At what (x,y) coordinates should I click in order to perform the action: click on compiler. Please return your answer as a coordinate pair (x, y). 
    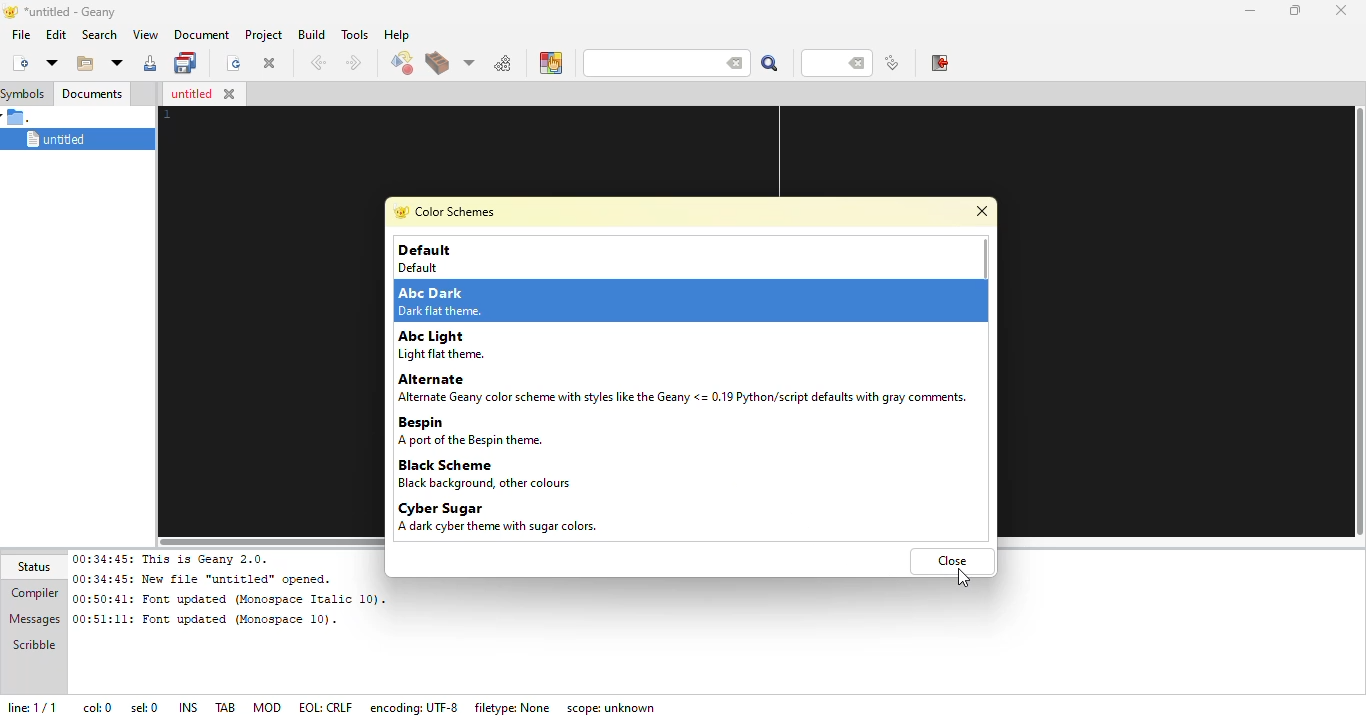
    Looking at the image, I should click on (34, 593).